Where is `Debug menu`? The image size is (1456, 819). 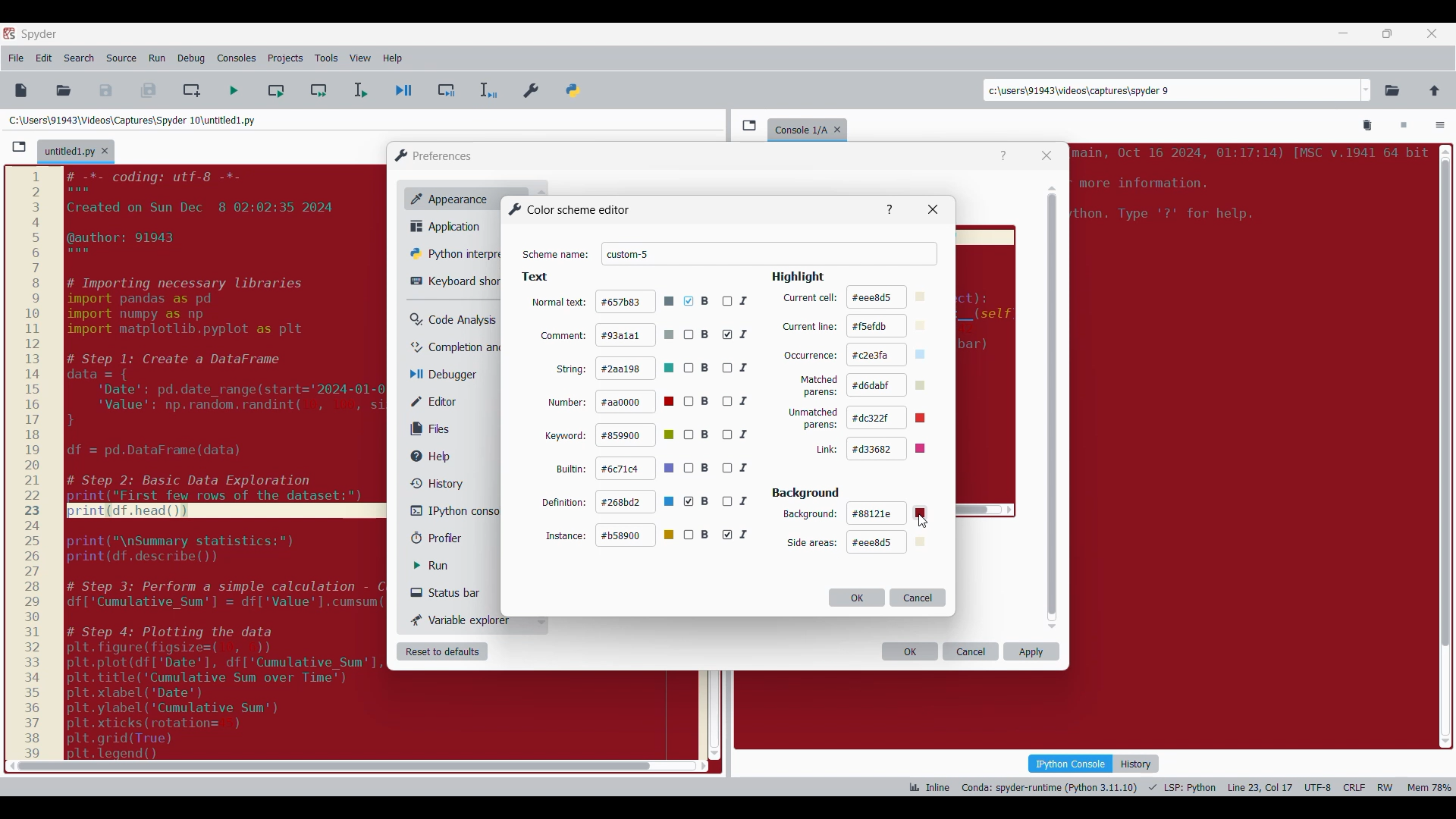
Debug menu is located at coordinates (191, 58).